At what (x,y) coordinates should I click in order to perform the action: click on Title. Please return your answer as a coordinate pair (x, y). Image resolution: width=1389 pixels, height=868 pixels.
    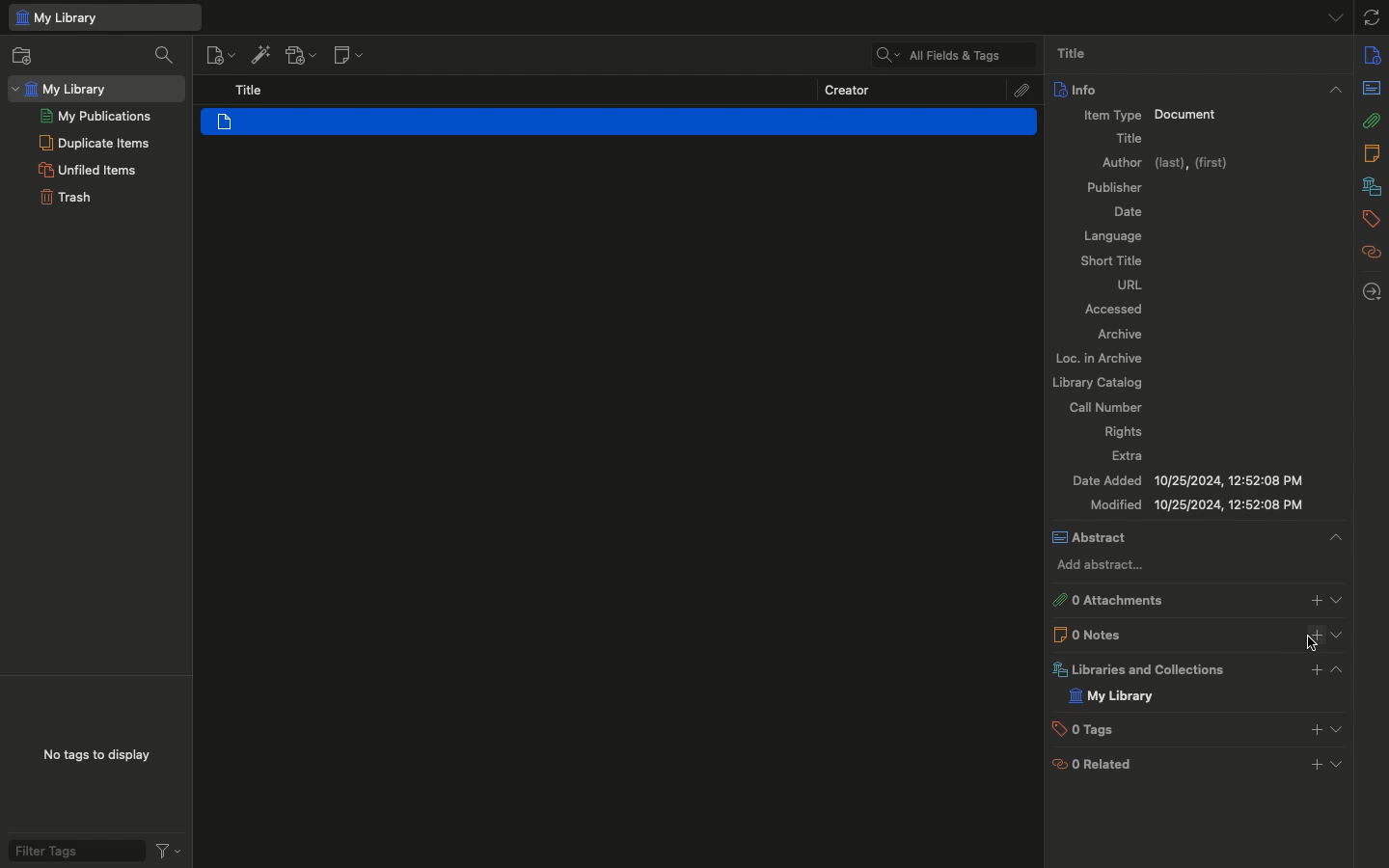
    Looking at the image, I should click on (1131, 138).